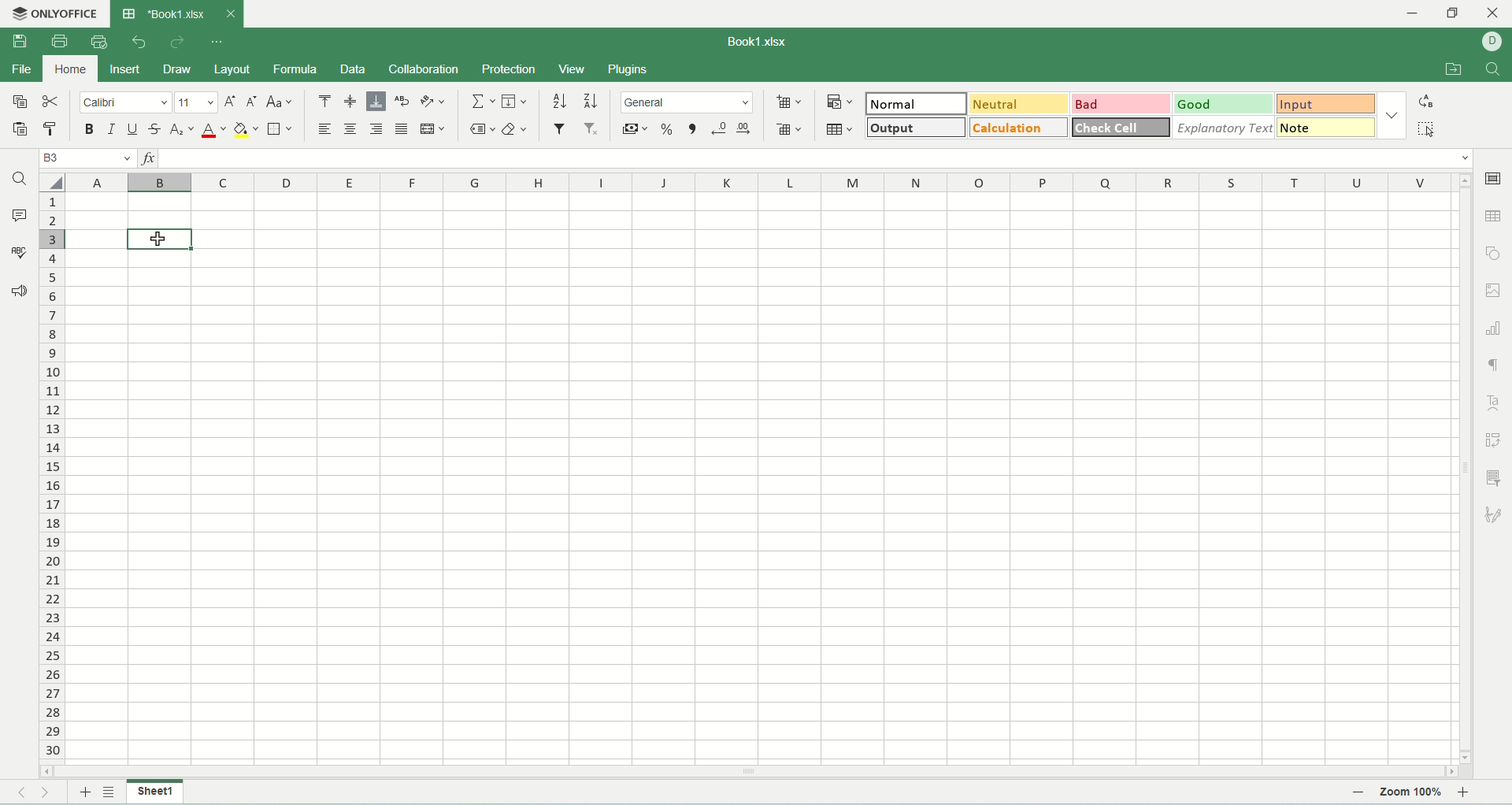  Describe the element at coordinates (515, 101) in the screenshot. I see `fill` at that location.